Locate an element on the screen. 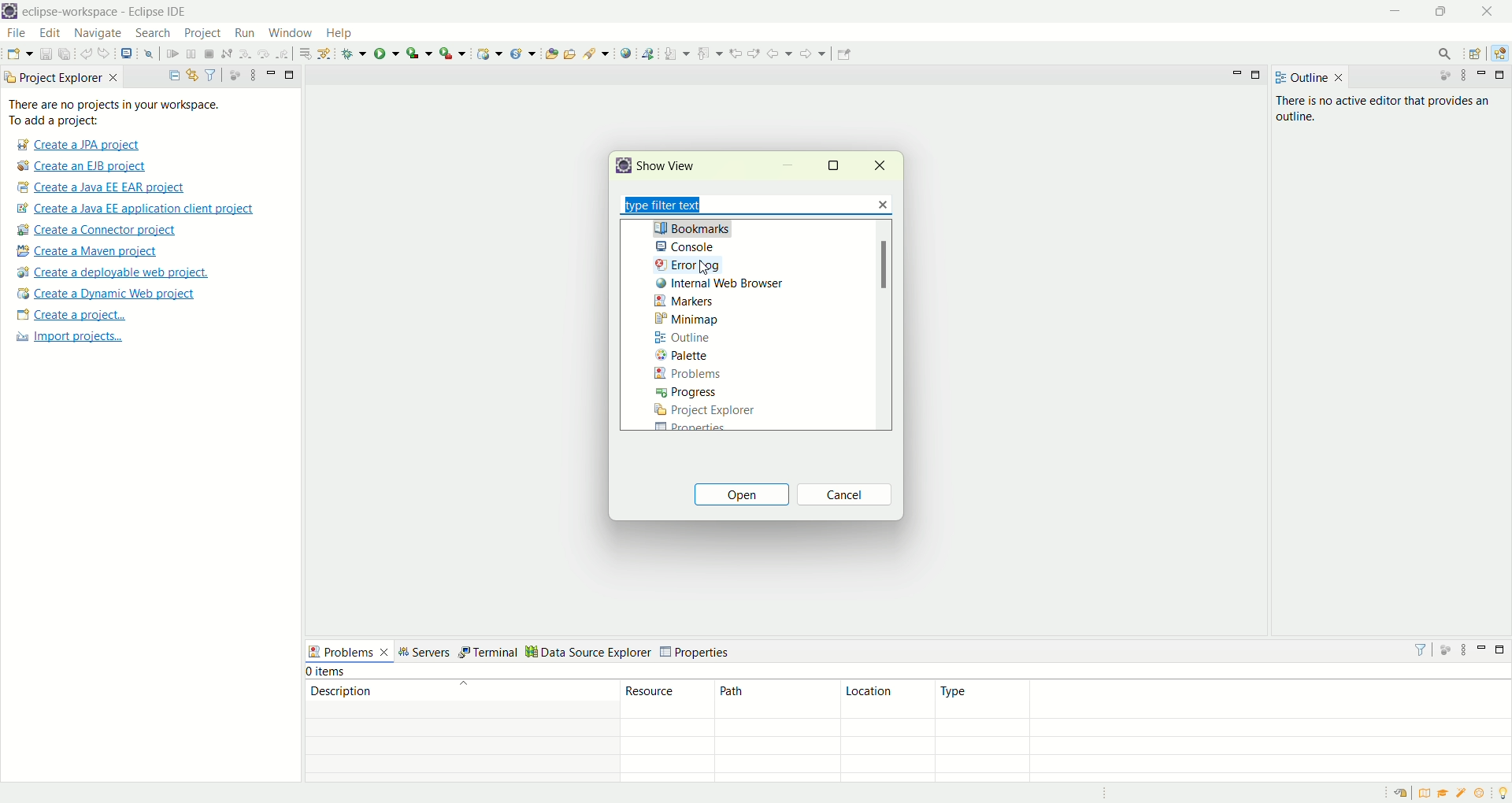 Image resolution: width=1512 pixels, height=803 pixels. resource is located at coordinates (664, 698).